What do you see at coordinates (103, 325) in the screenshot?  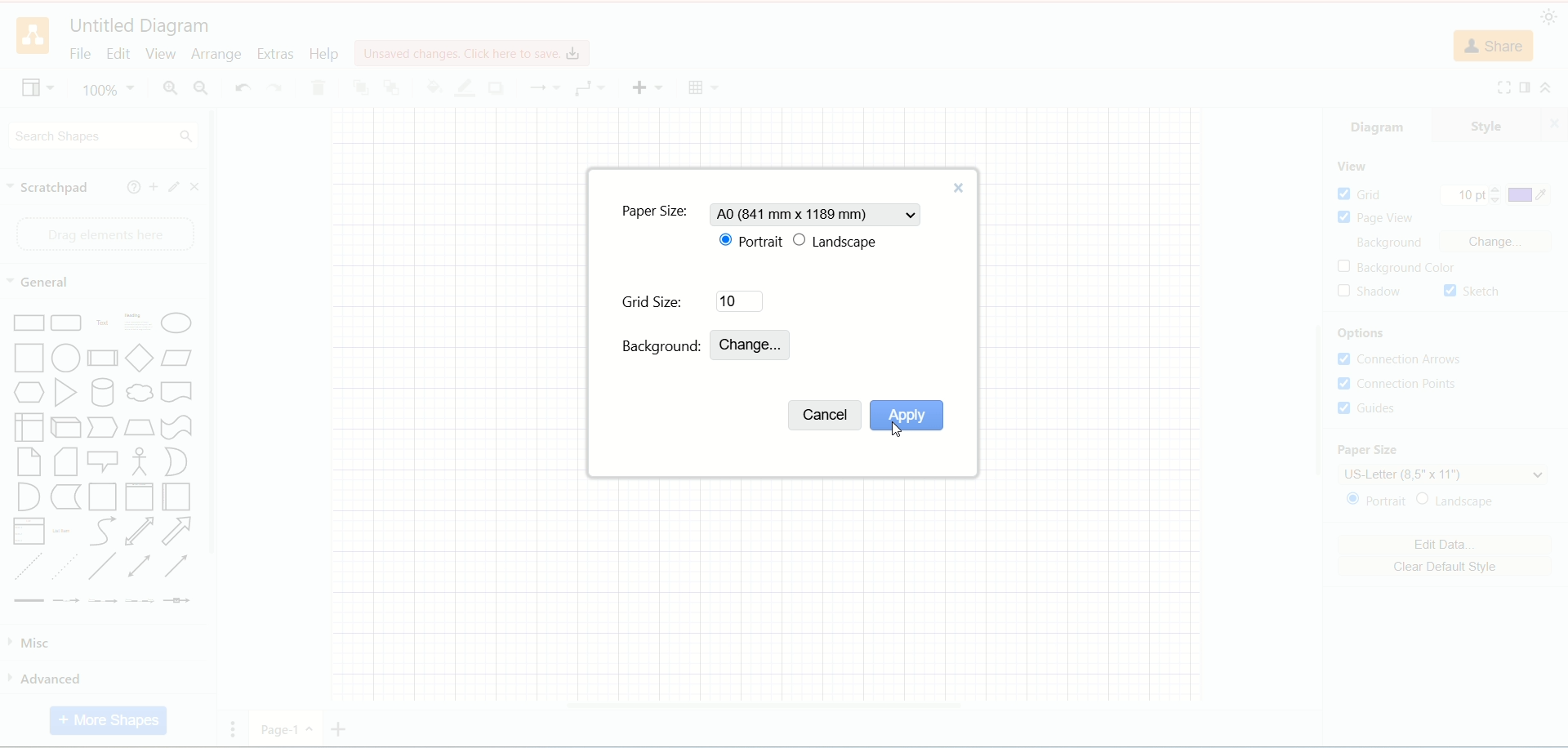 I see `Text` at bounding box center [103, 325].